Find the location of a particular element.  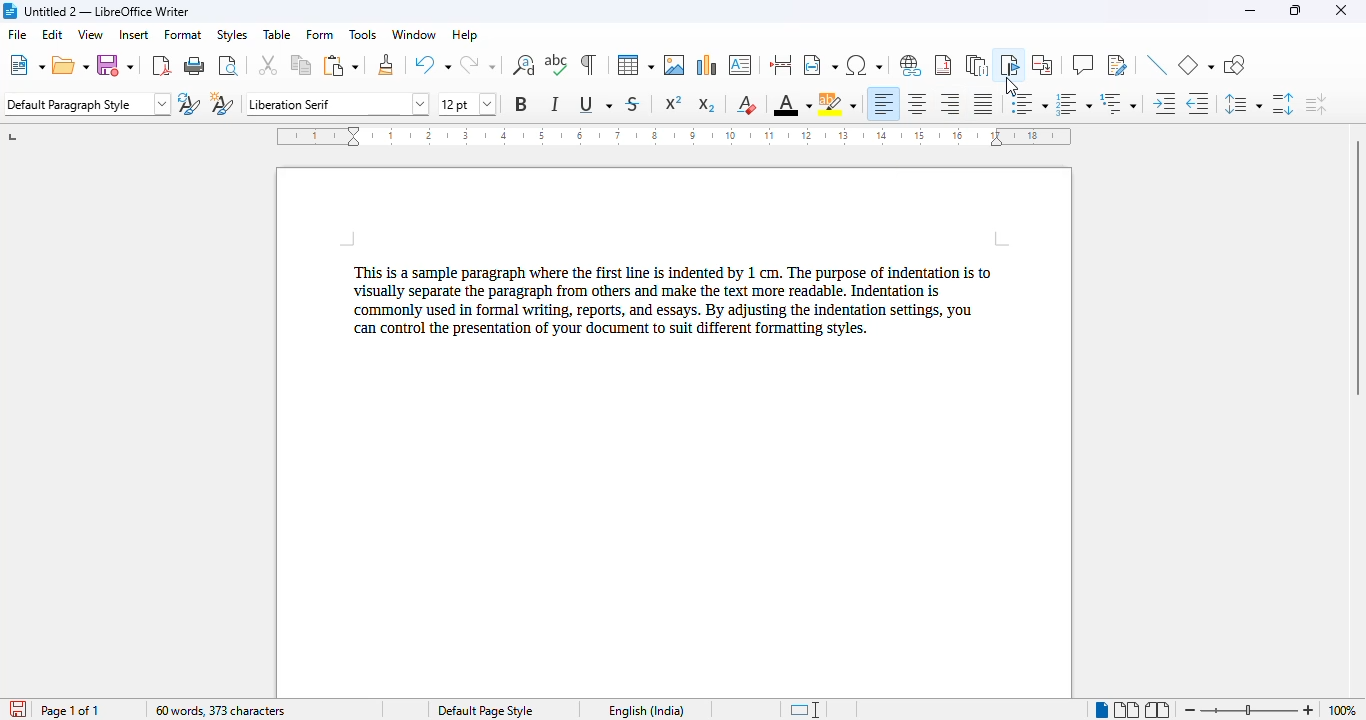

file is located at coordinates (16, 33).